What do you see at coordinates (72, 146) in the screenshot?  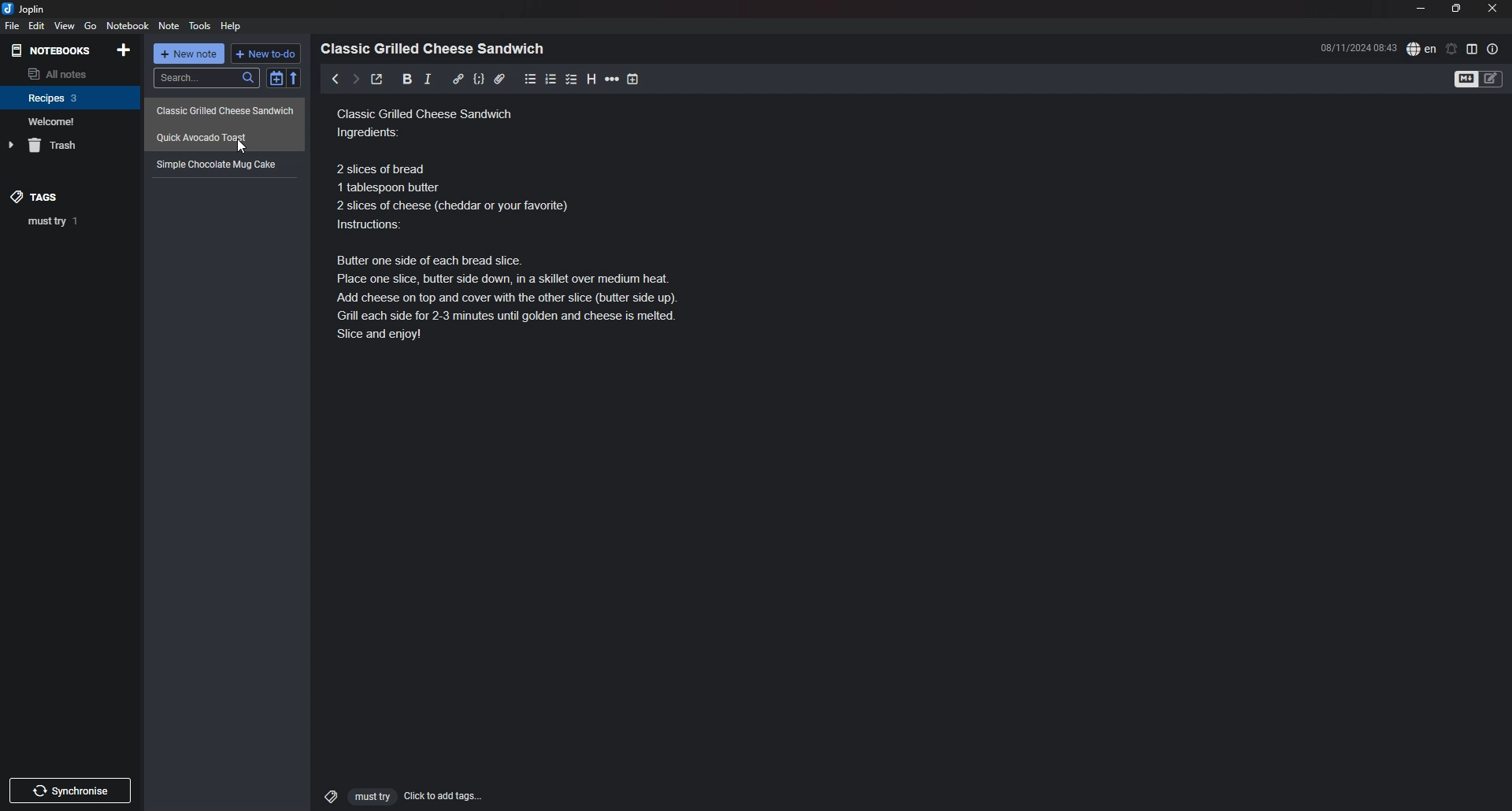 I see `trash` at bounding box center [72, 146].